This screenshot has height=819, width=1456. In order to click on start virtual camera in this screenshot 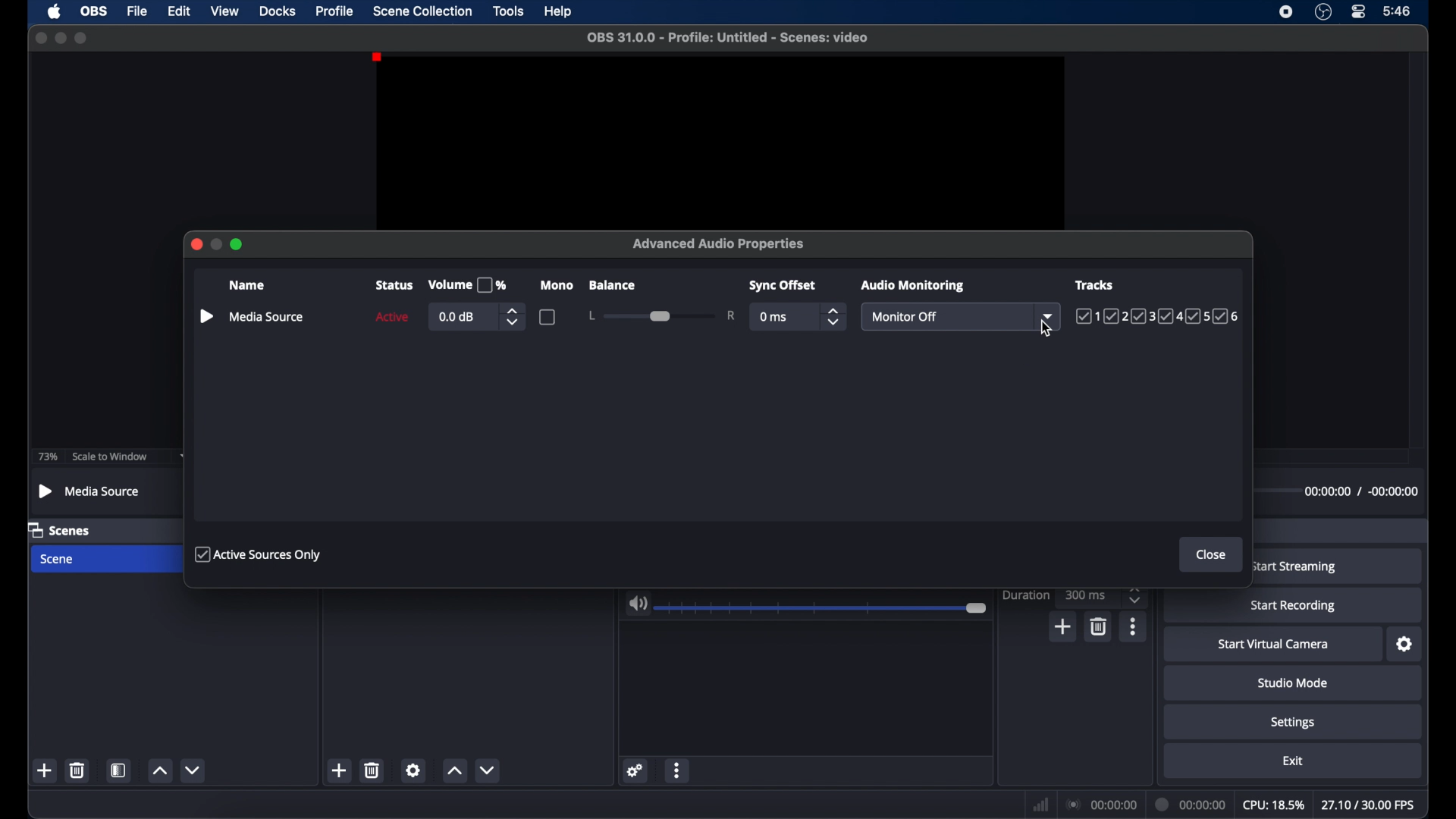, I will do `click(1273, 645)`.